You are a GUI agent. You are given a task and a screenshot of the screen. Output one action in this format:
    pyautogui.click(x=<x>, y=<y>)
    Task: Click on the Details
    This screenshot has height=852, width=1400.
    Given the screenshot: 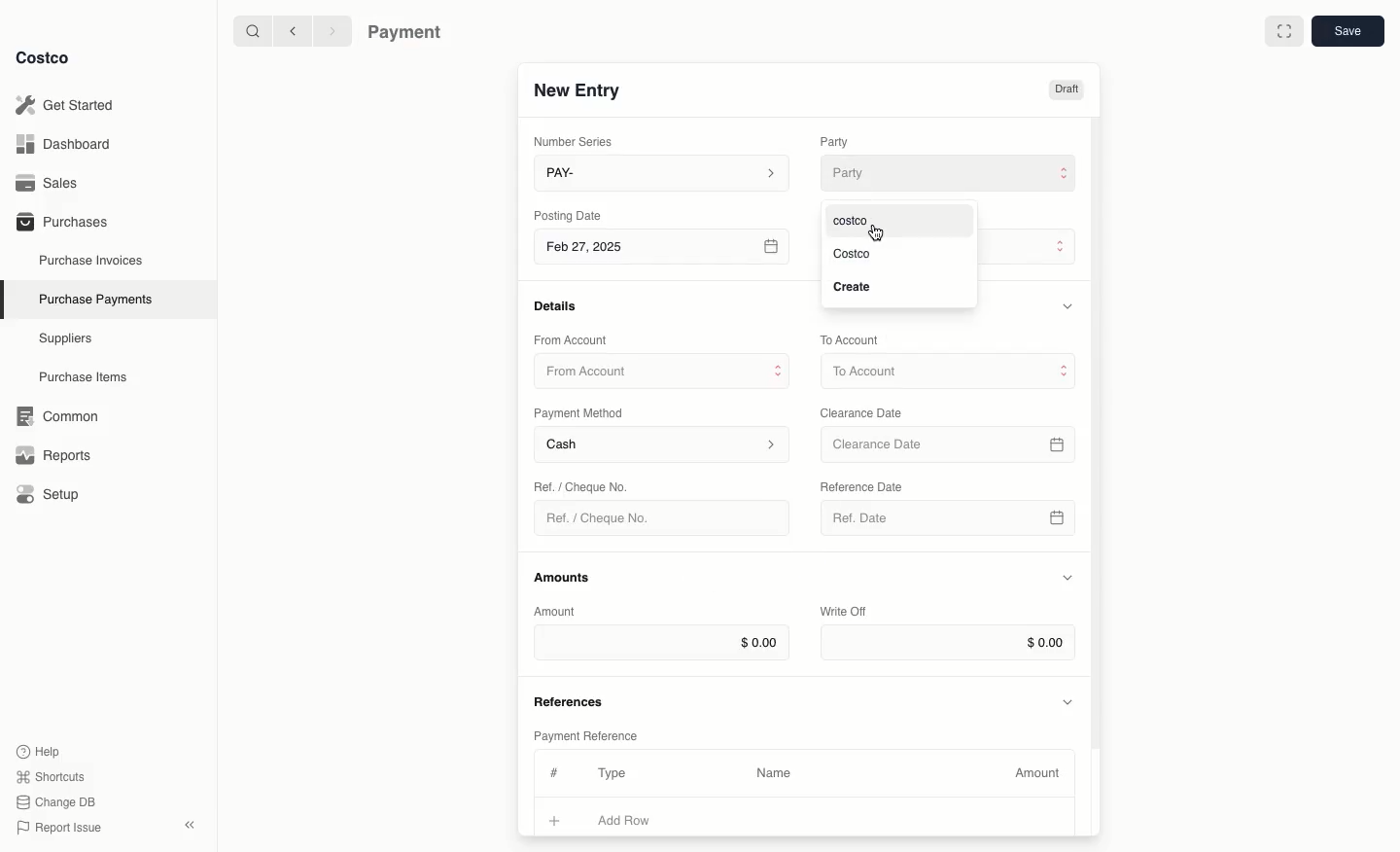 What is the action you would take?
    pyautogui.click(x=561, y=305)
    